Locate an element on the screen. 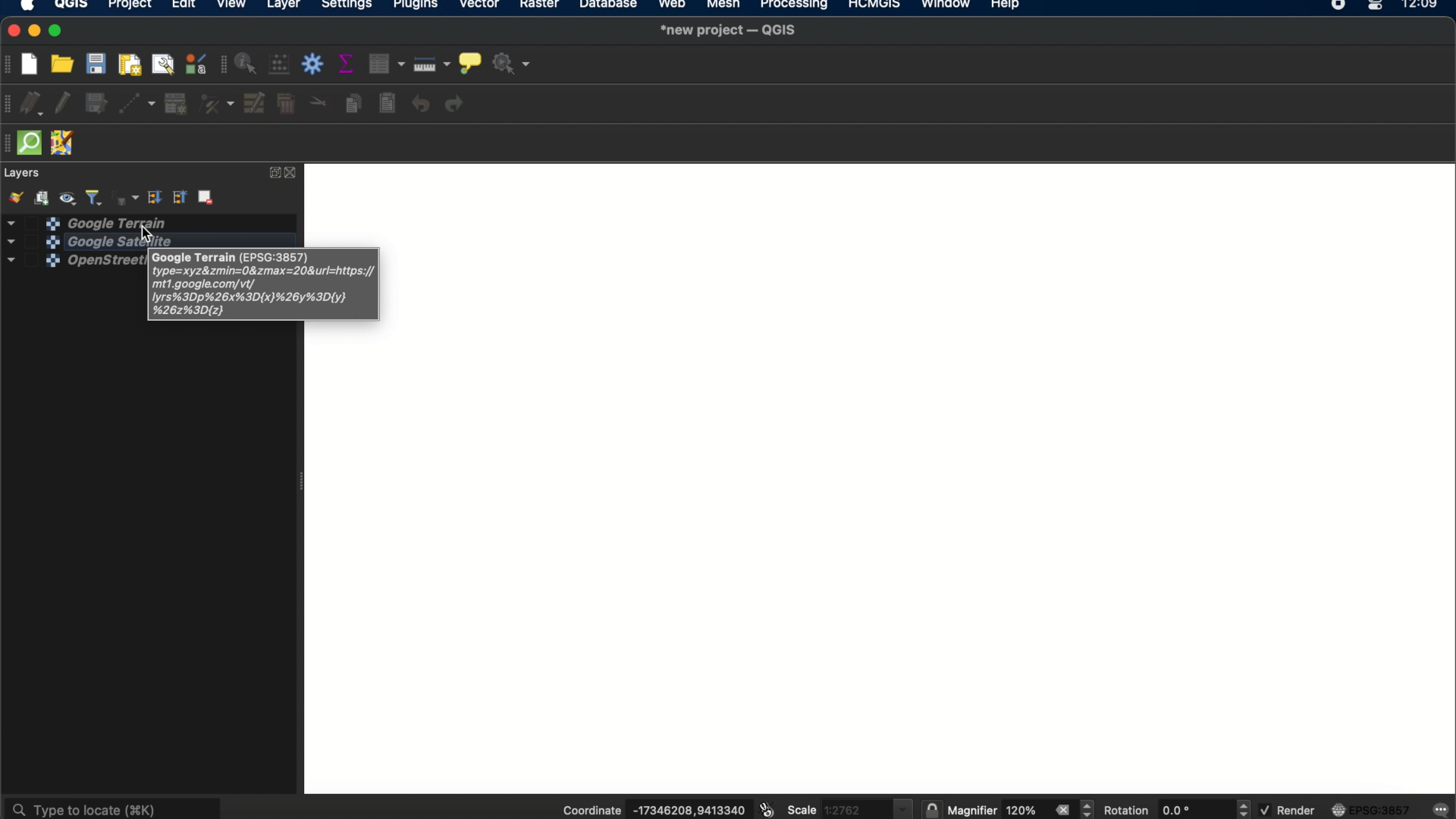 Image resolution: width=1456 pixels, height=819 pixels. maximize is located at coordinates (58, 31).